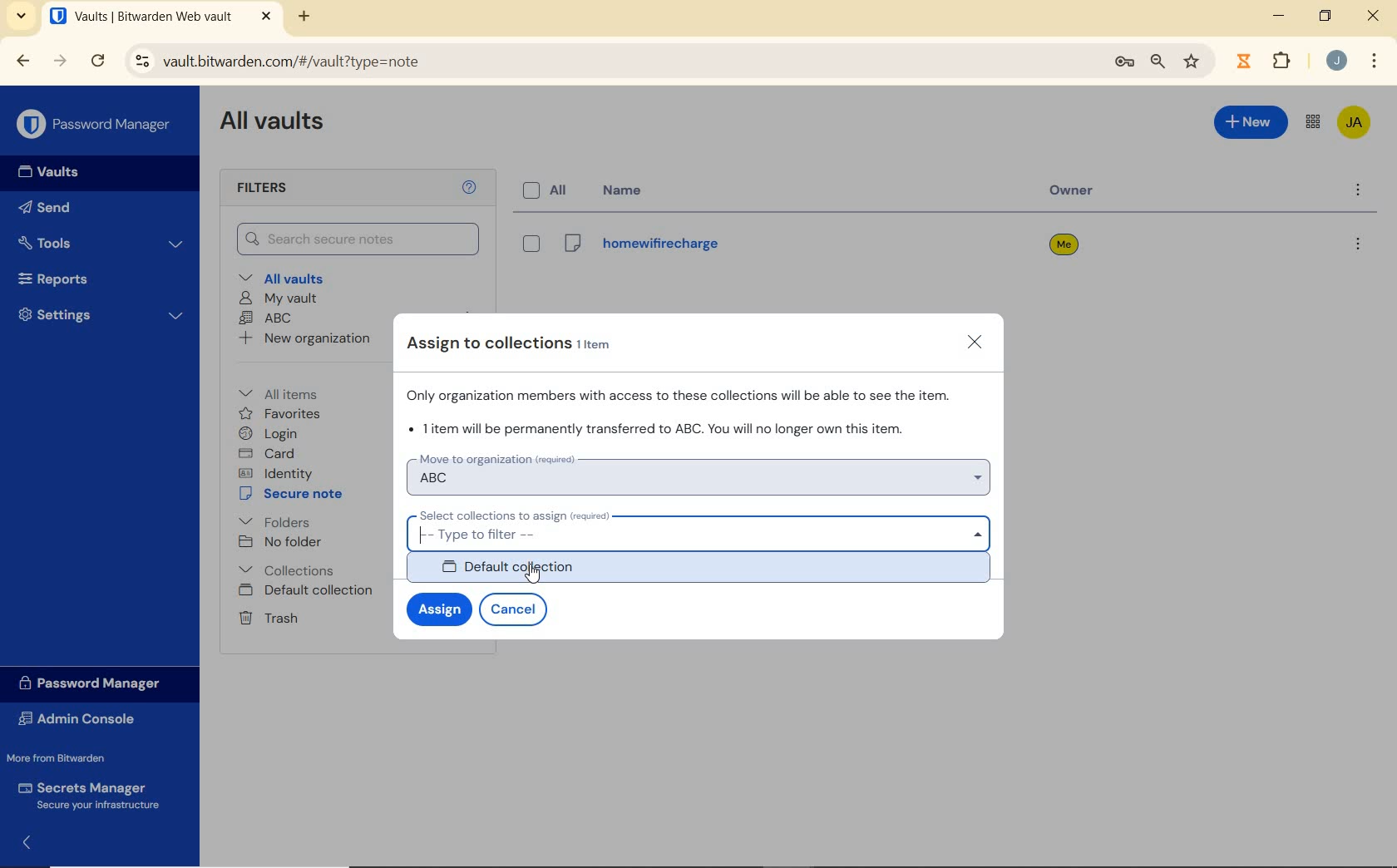 This screenshot has height=868, width=1397. What do you see at coordinates (306, 338) in the screenshot?
I see `New organization` at bounding box center [306, 338].